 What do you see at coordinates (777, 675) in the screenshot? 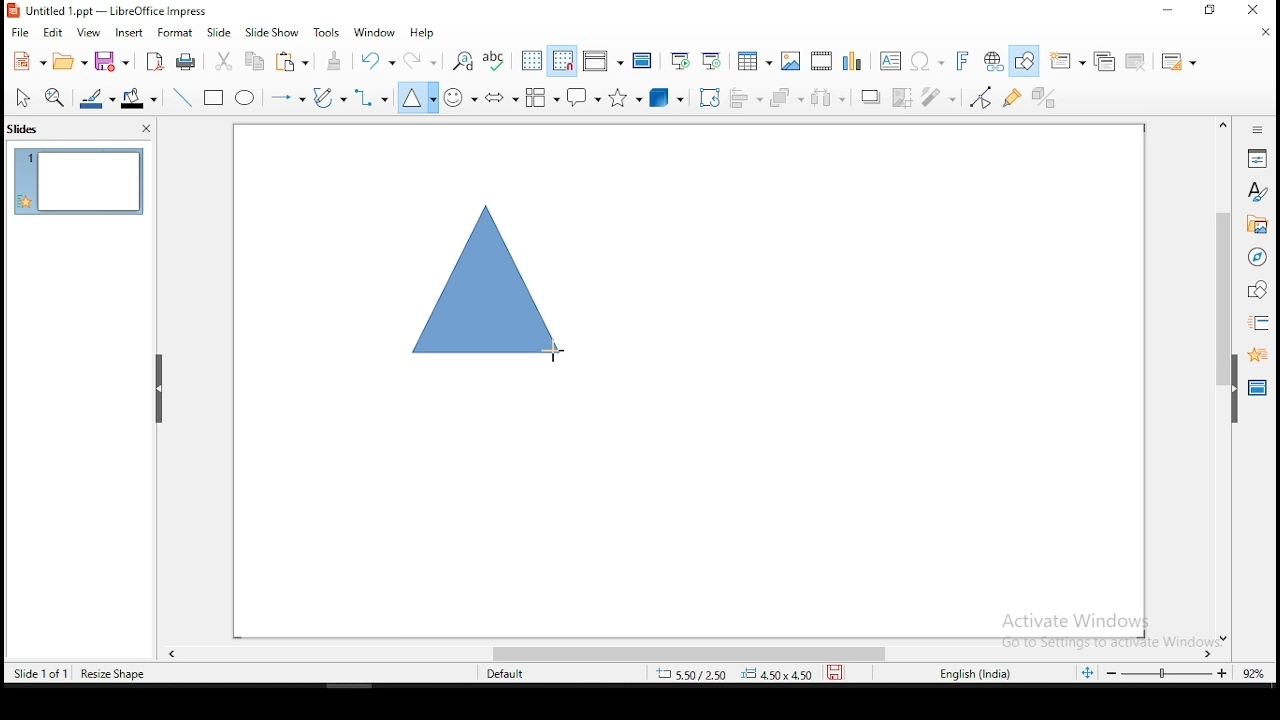
I see `0.00x 0.00` at bounding box center [777, 675].